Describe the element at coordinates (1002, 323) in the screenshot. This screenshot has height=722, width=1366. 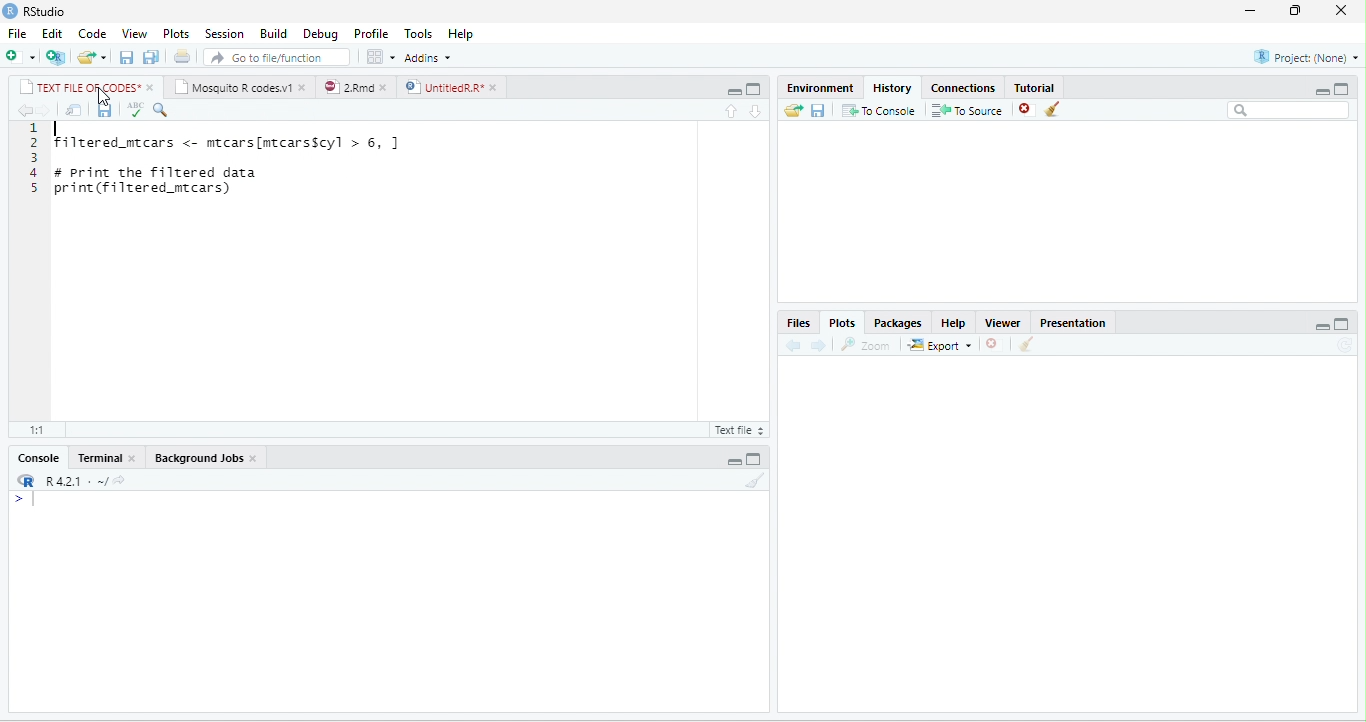
I see `Viewer` at that location.